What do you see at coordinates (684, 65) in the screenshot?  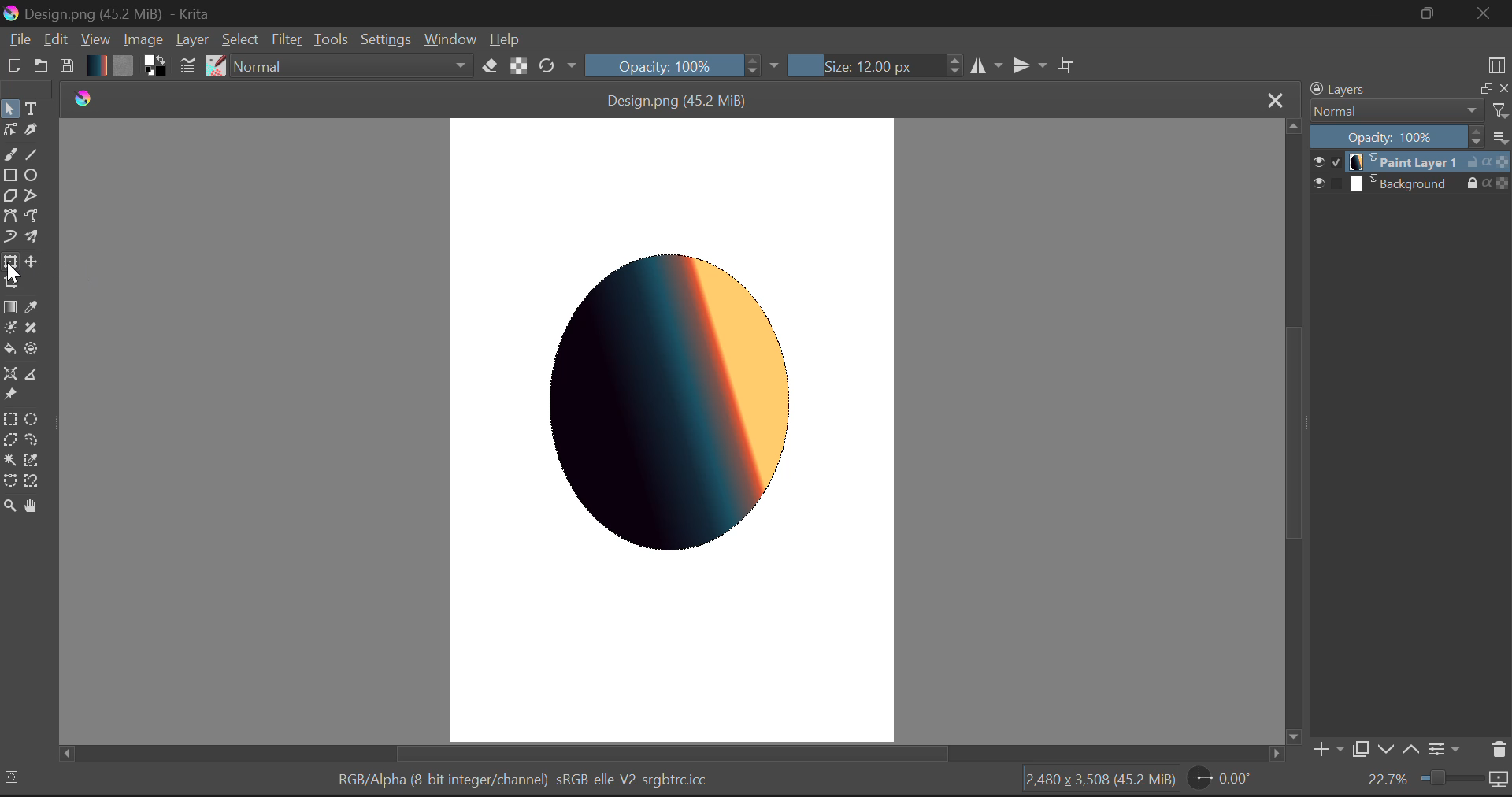 I see `Opacity` at bounding box center [684, 65].